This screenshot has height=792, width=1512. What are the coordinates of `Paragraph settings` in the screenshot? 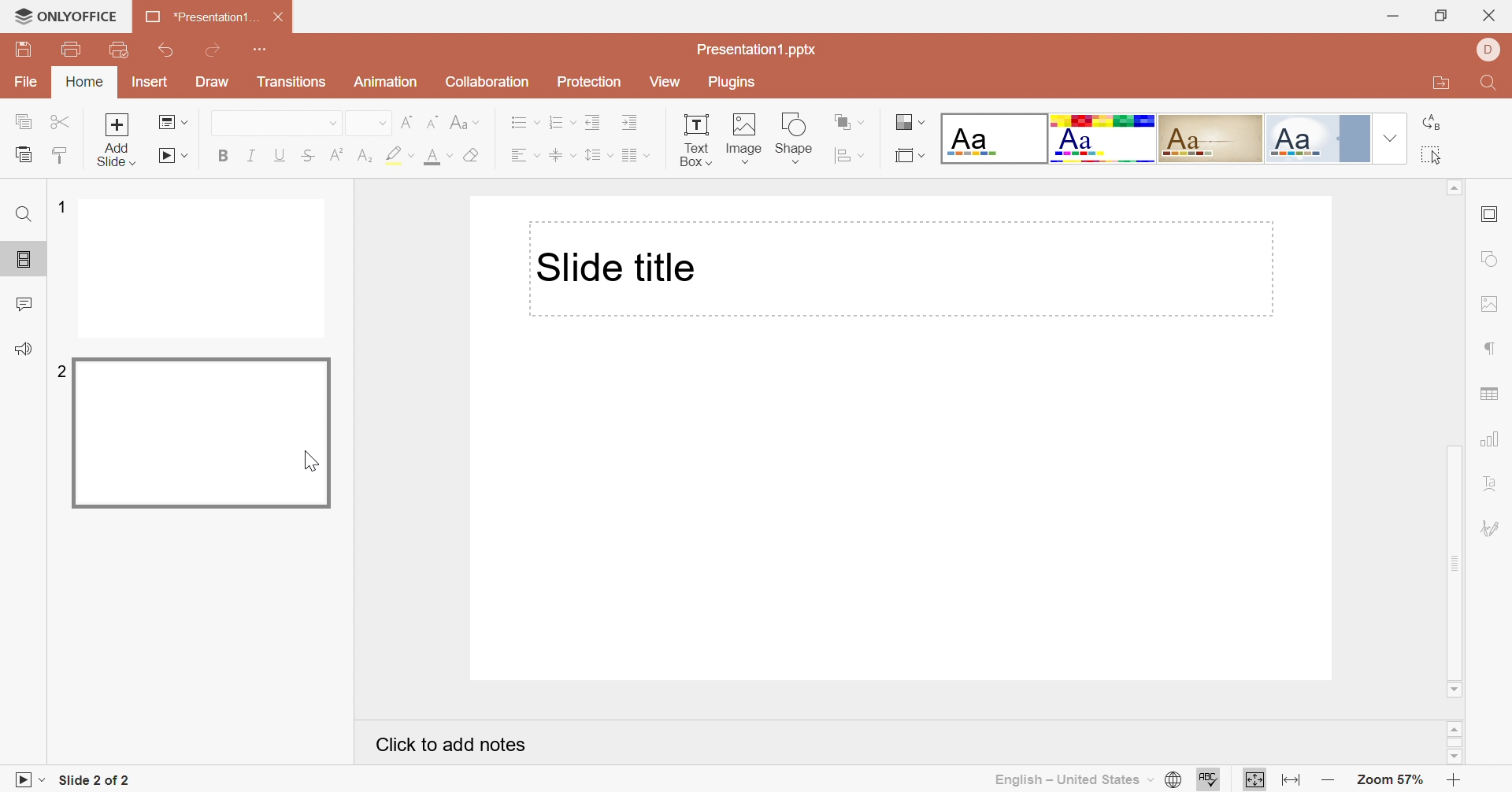 It's located at (1488, 350).